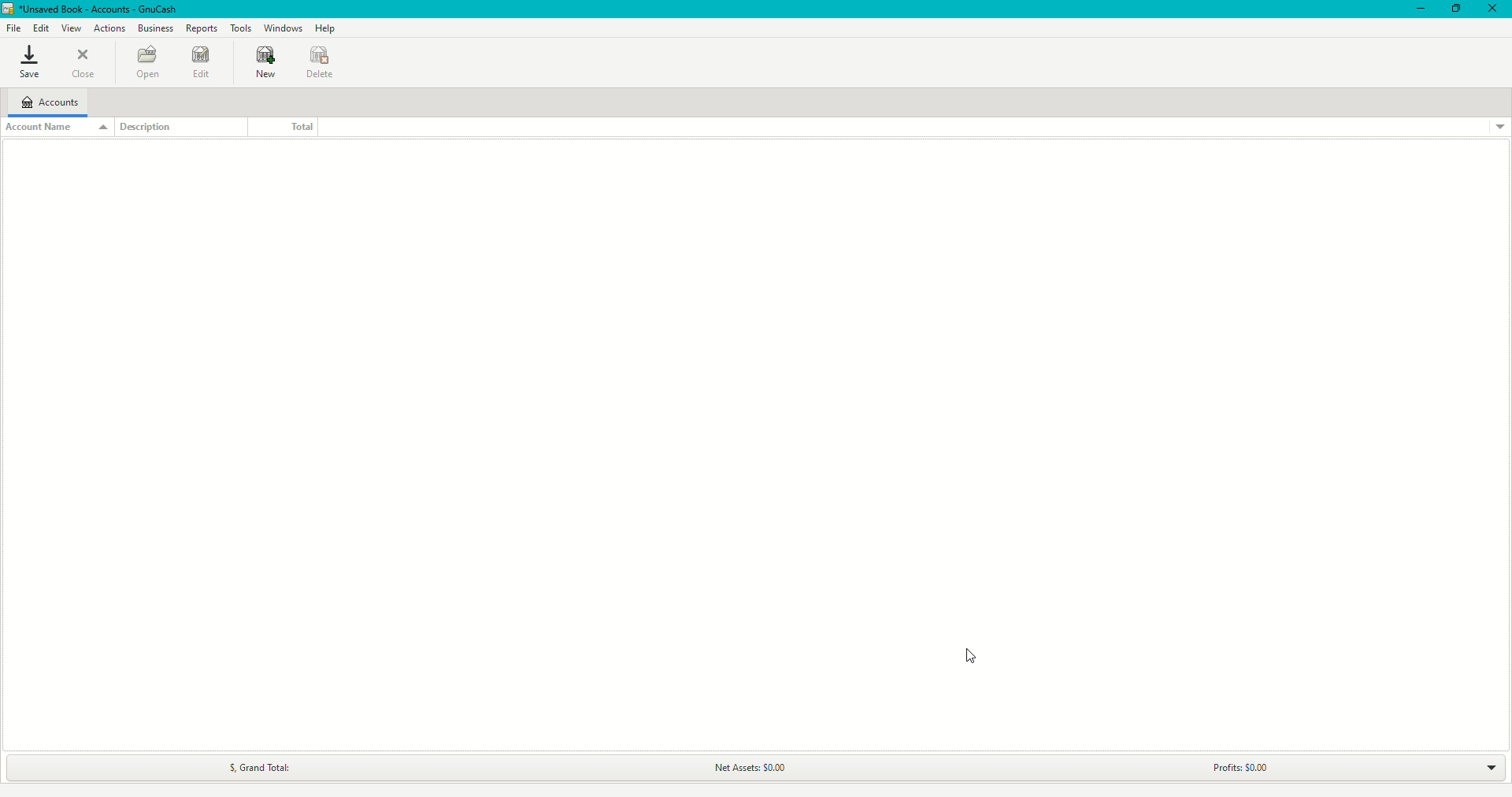 The image size is (1512, 797). I want to click on new, so click(261, 65).